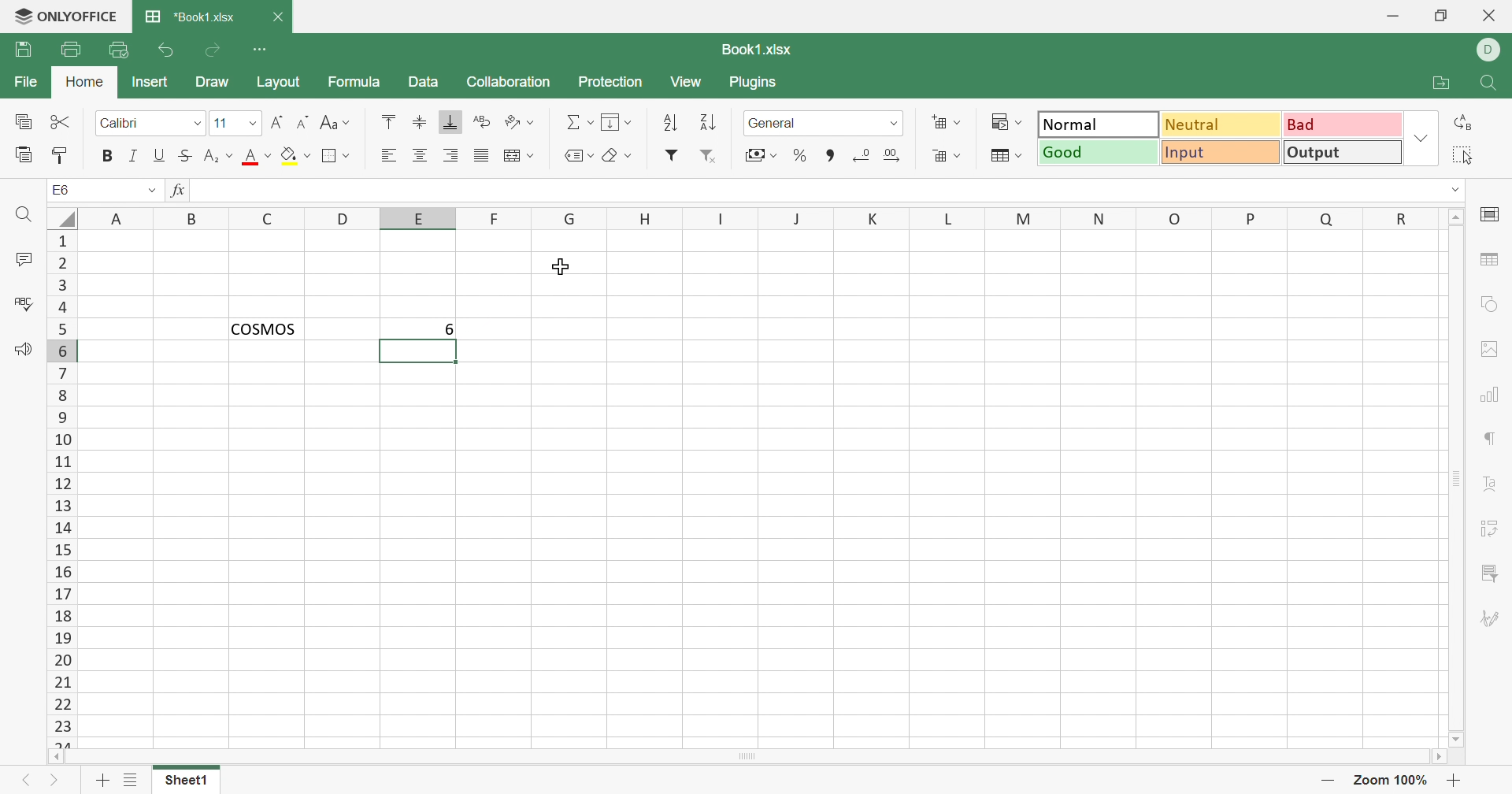 This screenshot has width=1512, height=794. I want to click on Slicer settings, so click(1492, 575).